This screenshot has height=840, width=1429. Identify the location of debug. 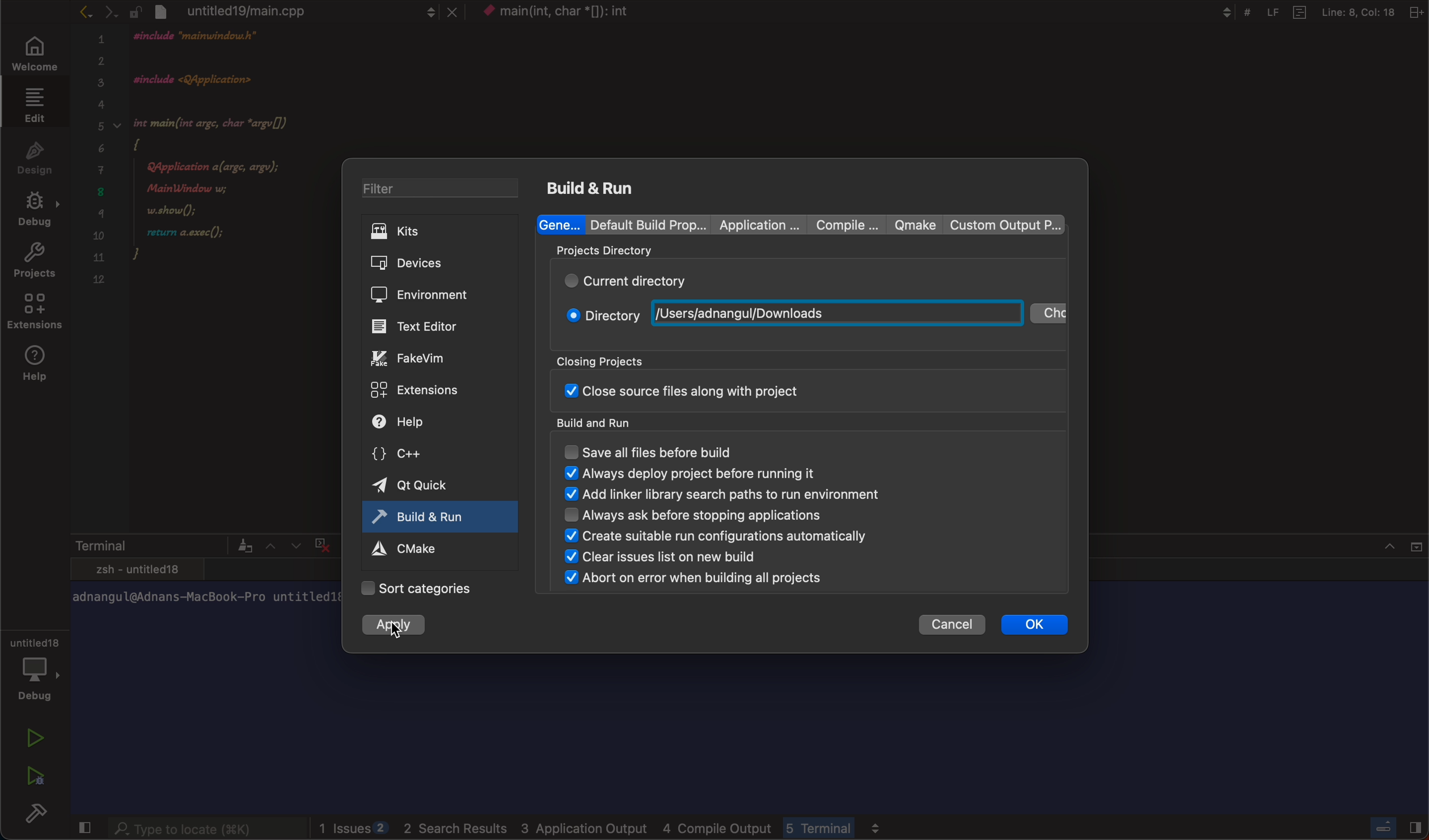
(37, 207).